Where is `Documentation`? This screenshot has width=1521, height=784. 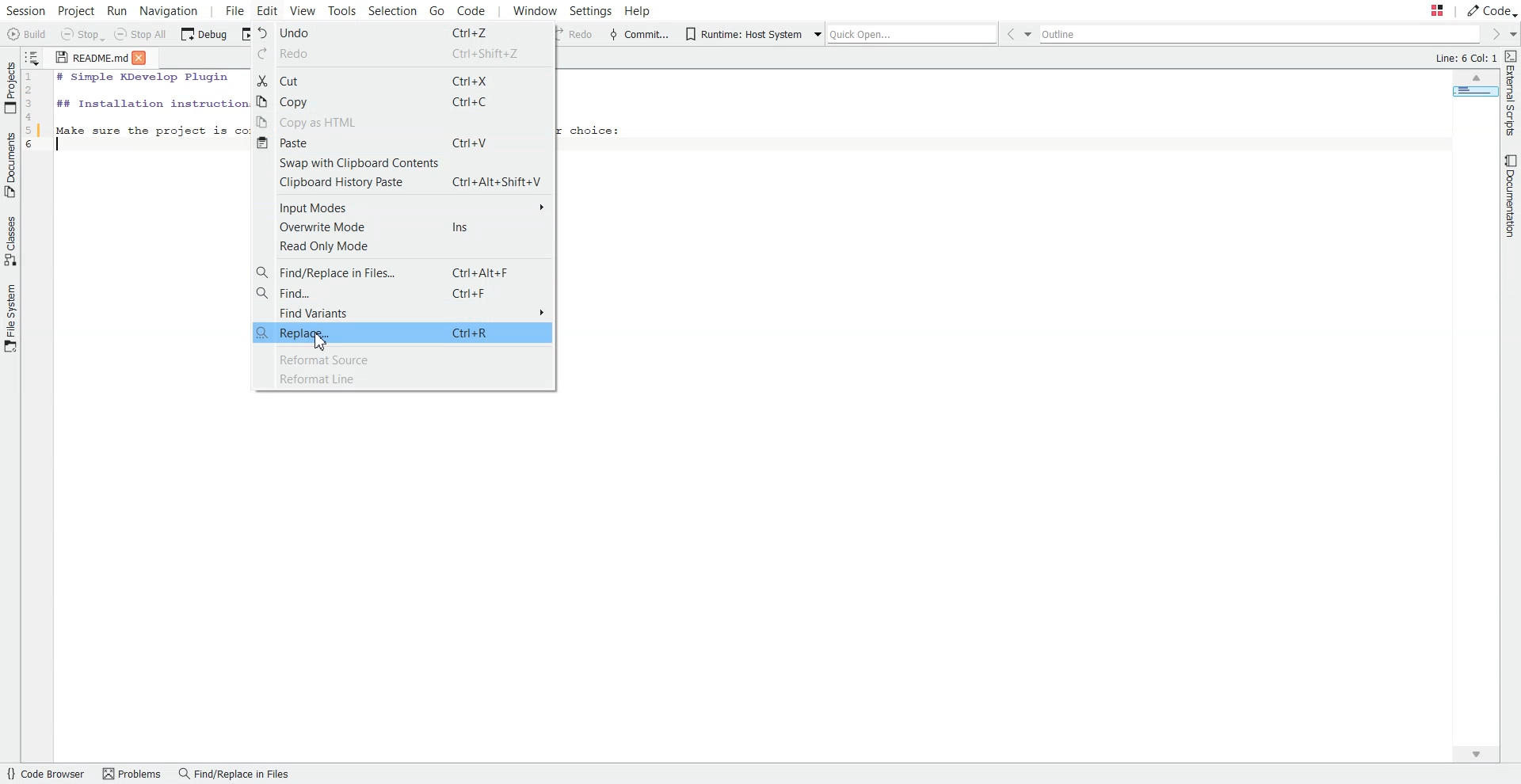
Documentation is located at coordinates (1507, 197).